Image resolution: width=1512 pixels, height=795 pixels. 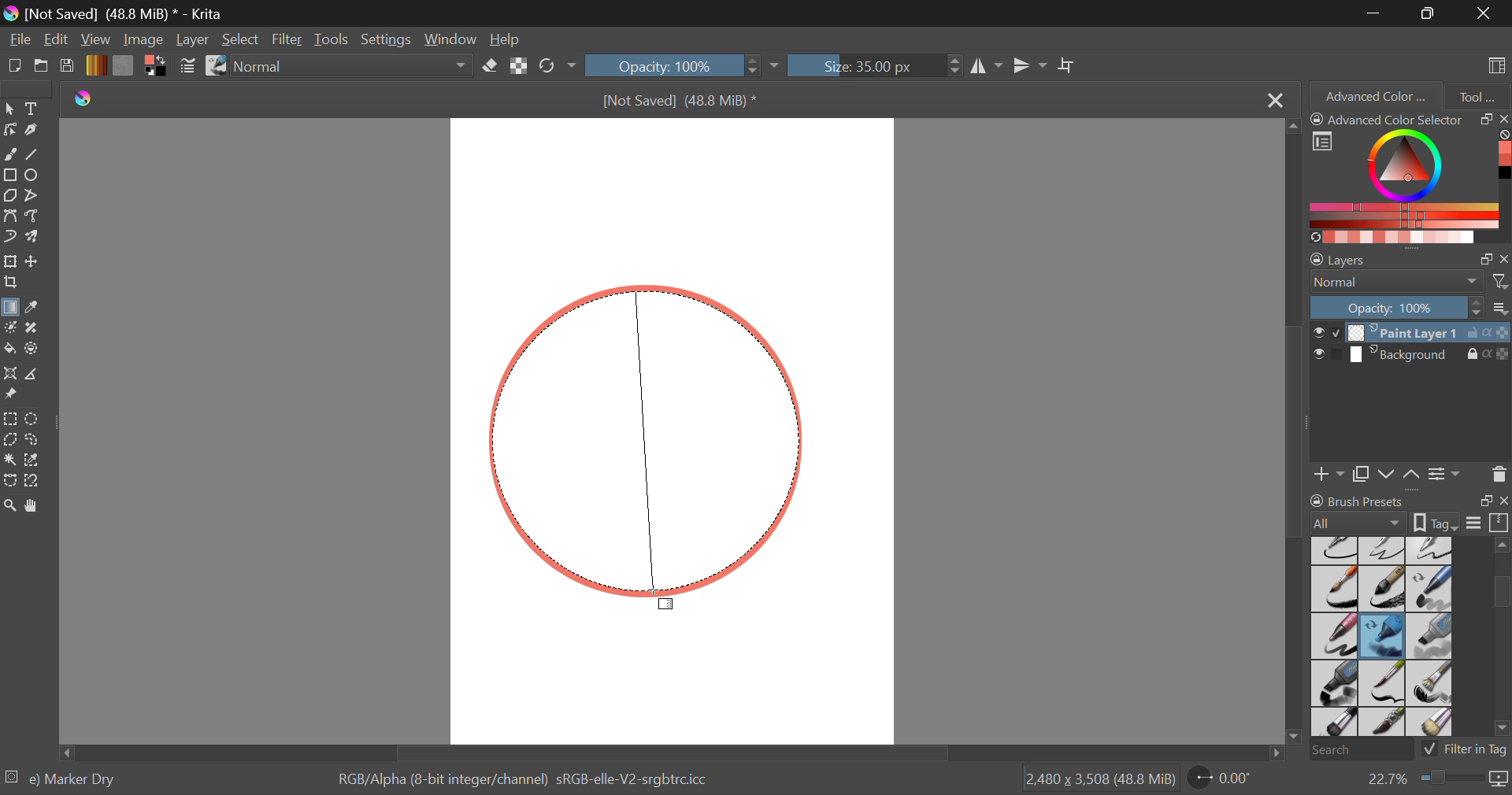 What do you see at coordinates (493, 68) in the screenshot?
I see `Erase` at bounding box center [493, 68].